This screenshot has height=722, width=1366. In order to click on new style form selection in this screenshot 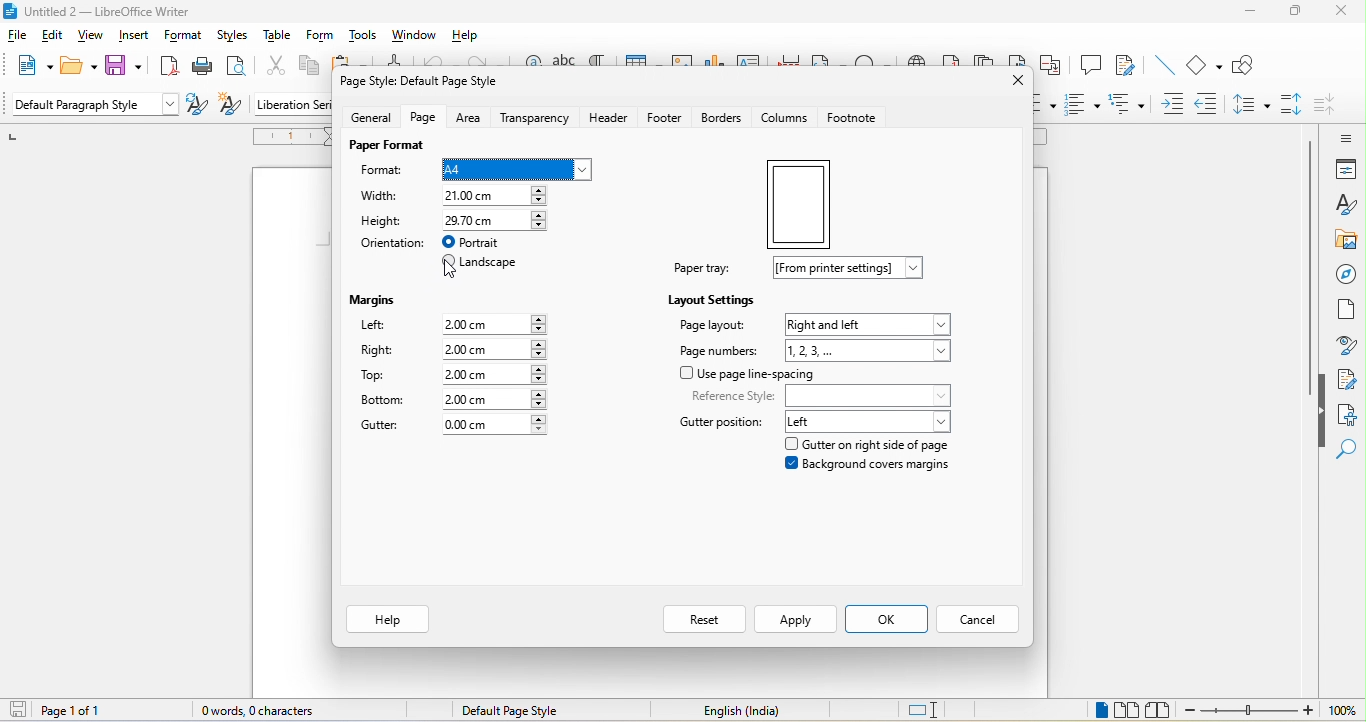, I will do `click(228, 106)`.